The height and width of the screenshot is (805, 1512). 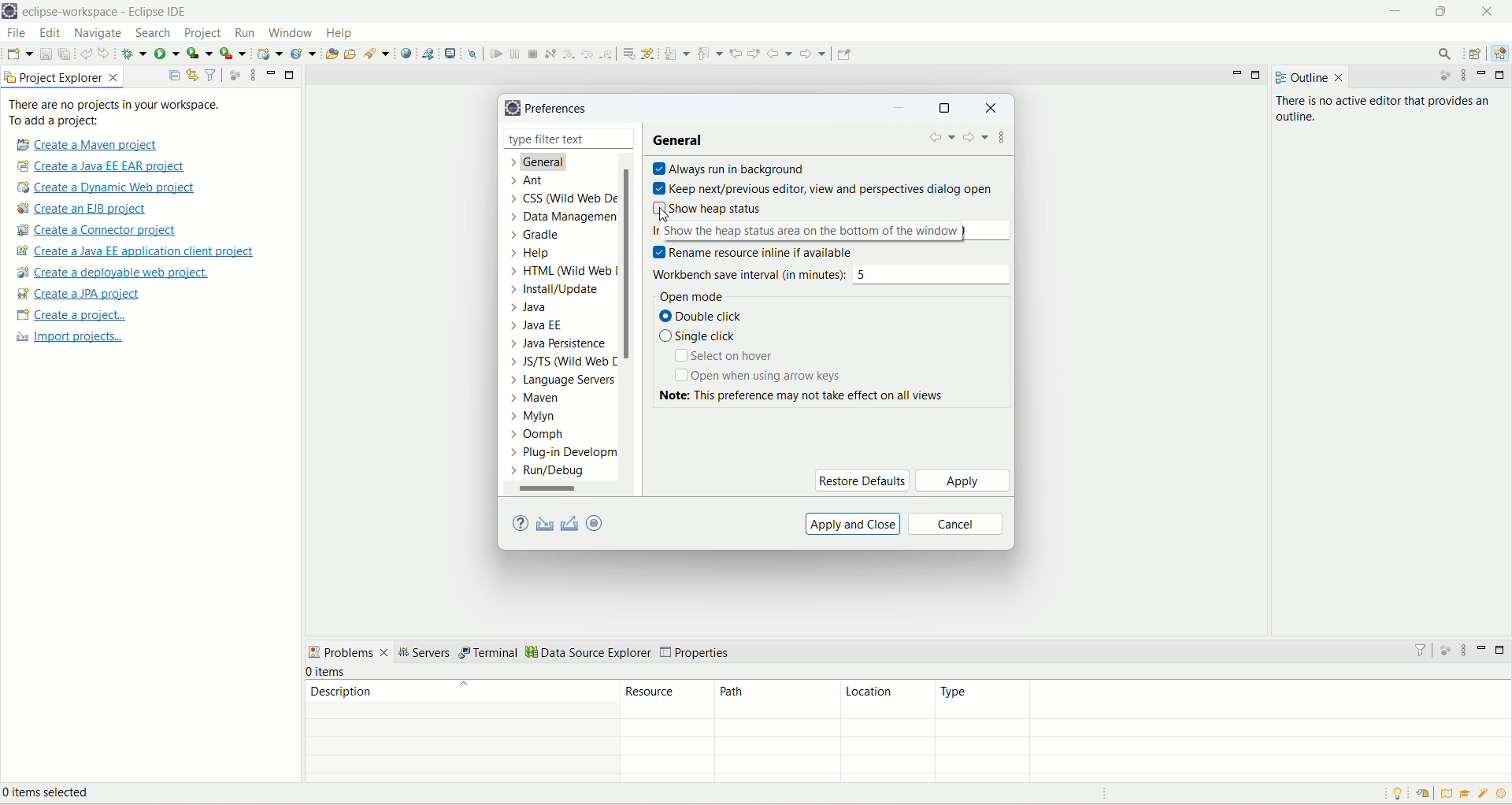 What do you see at coordinates (991, 109) in the screenshot?
I see `close` at bounding box center [991, 109].